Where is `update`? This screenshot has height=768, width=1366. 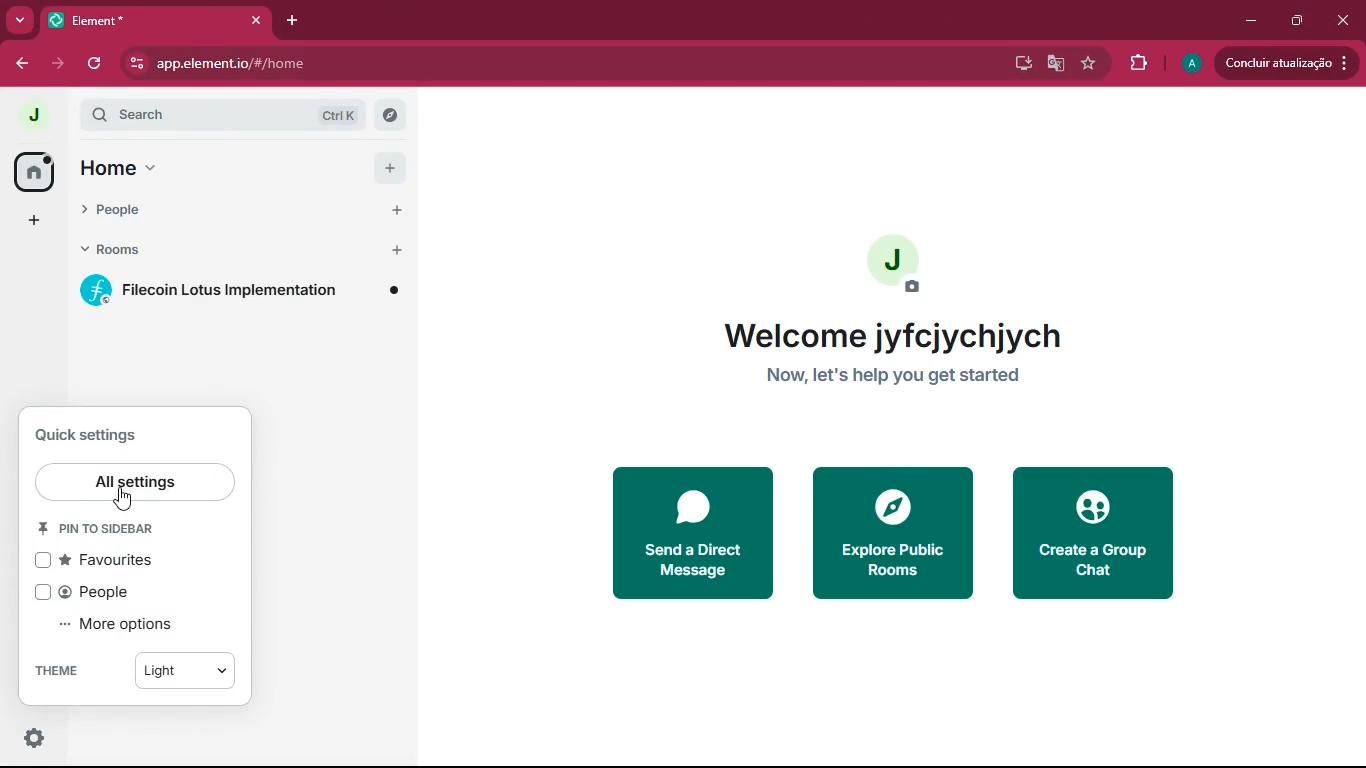
update is located at coordinates (1286, 65).